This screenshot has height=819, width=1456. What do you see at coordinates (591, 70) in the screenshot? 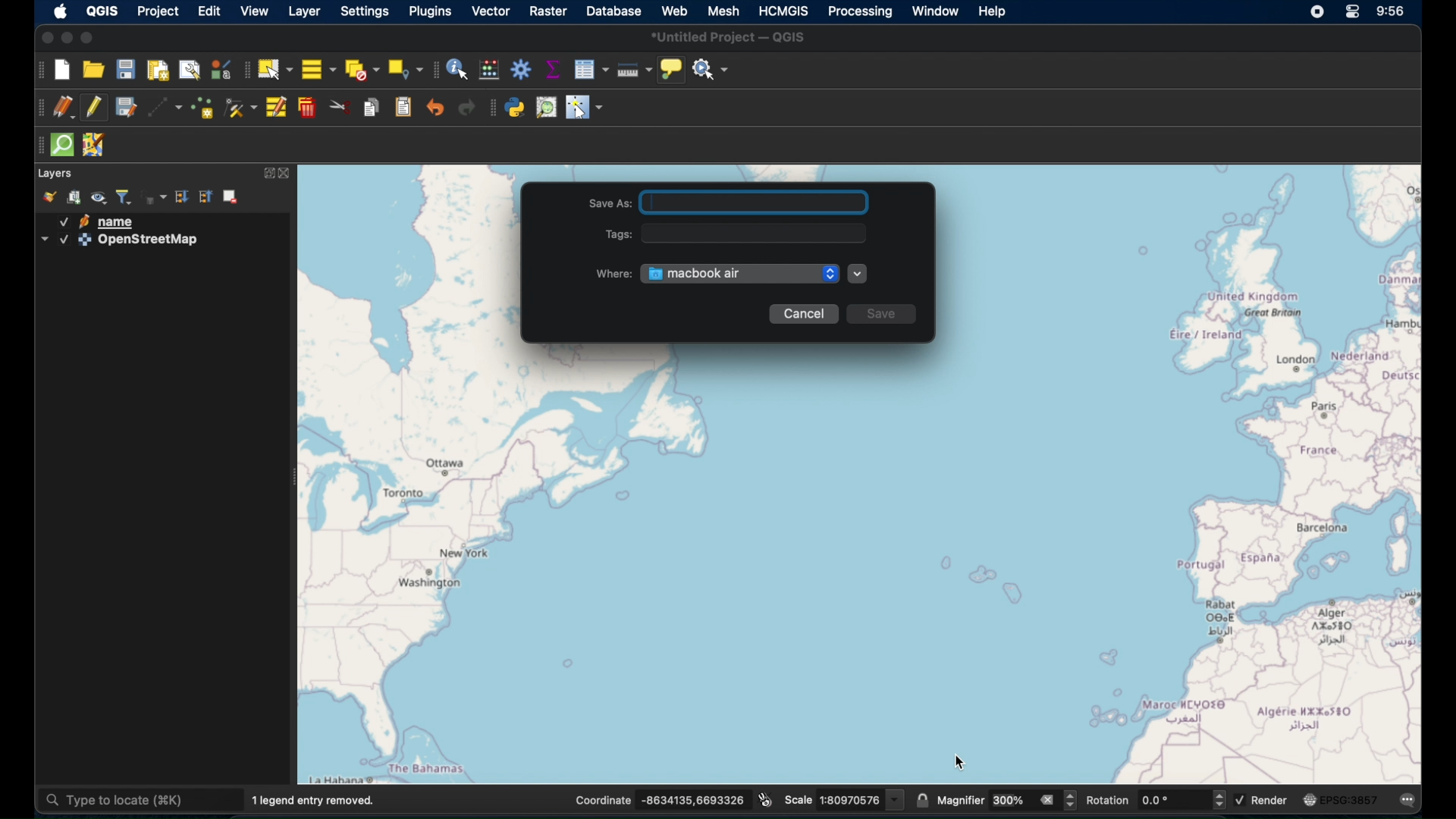
I see `open attribute table` at bounding box center [591, 70].